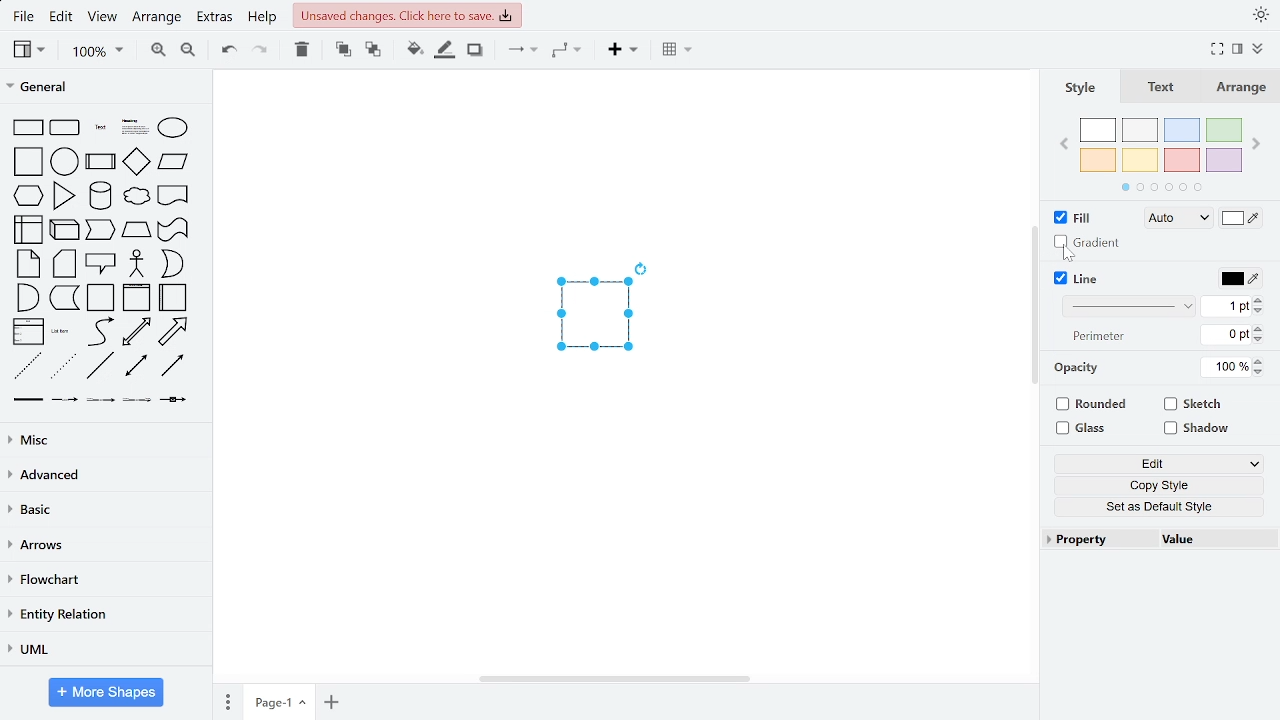  I want to click on view, so click(103, 17).